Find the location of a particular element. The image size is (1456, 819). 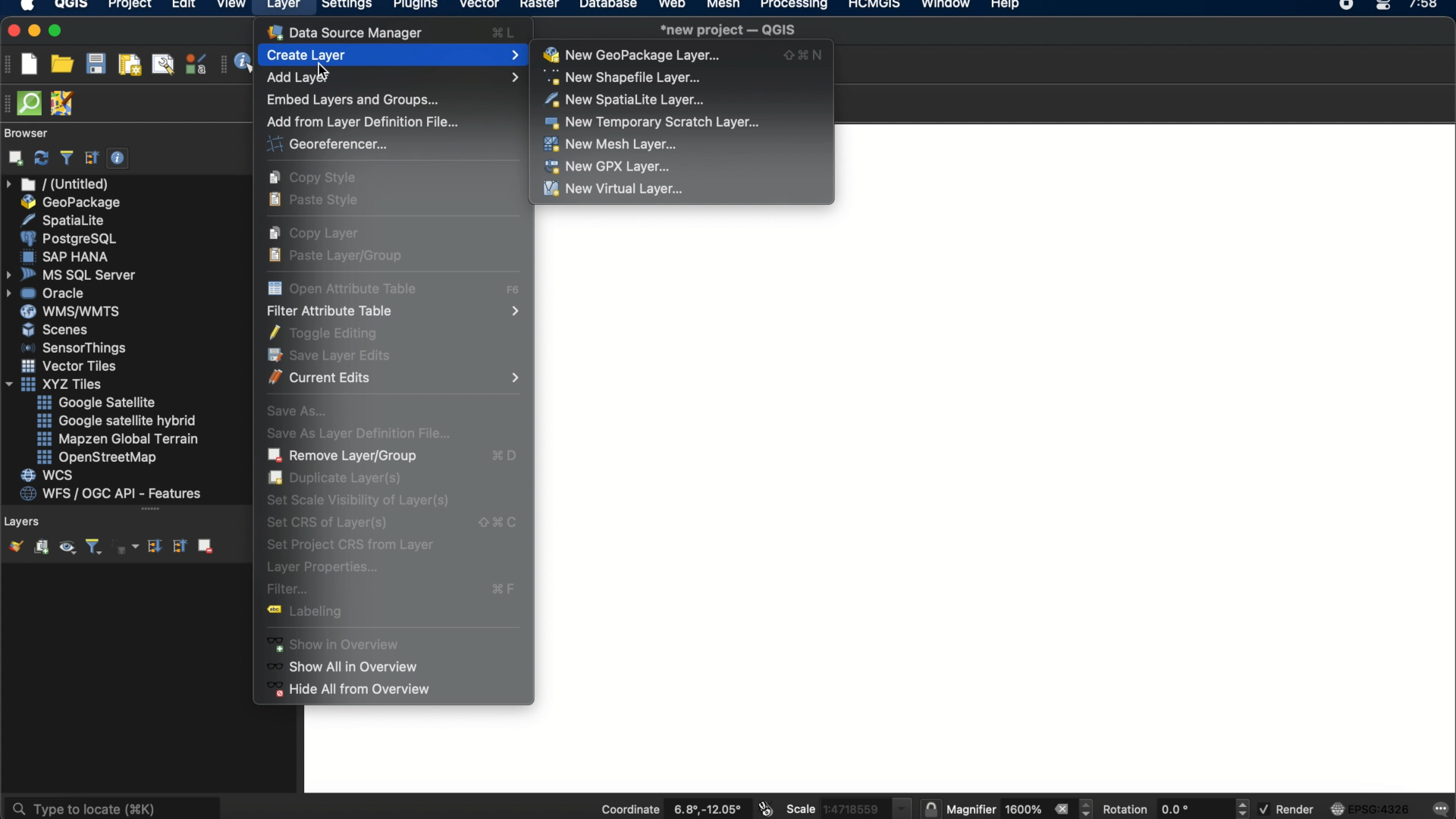

layer is located at coordinates (284, 8).